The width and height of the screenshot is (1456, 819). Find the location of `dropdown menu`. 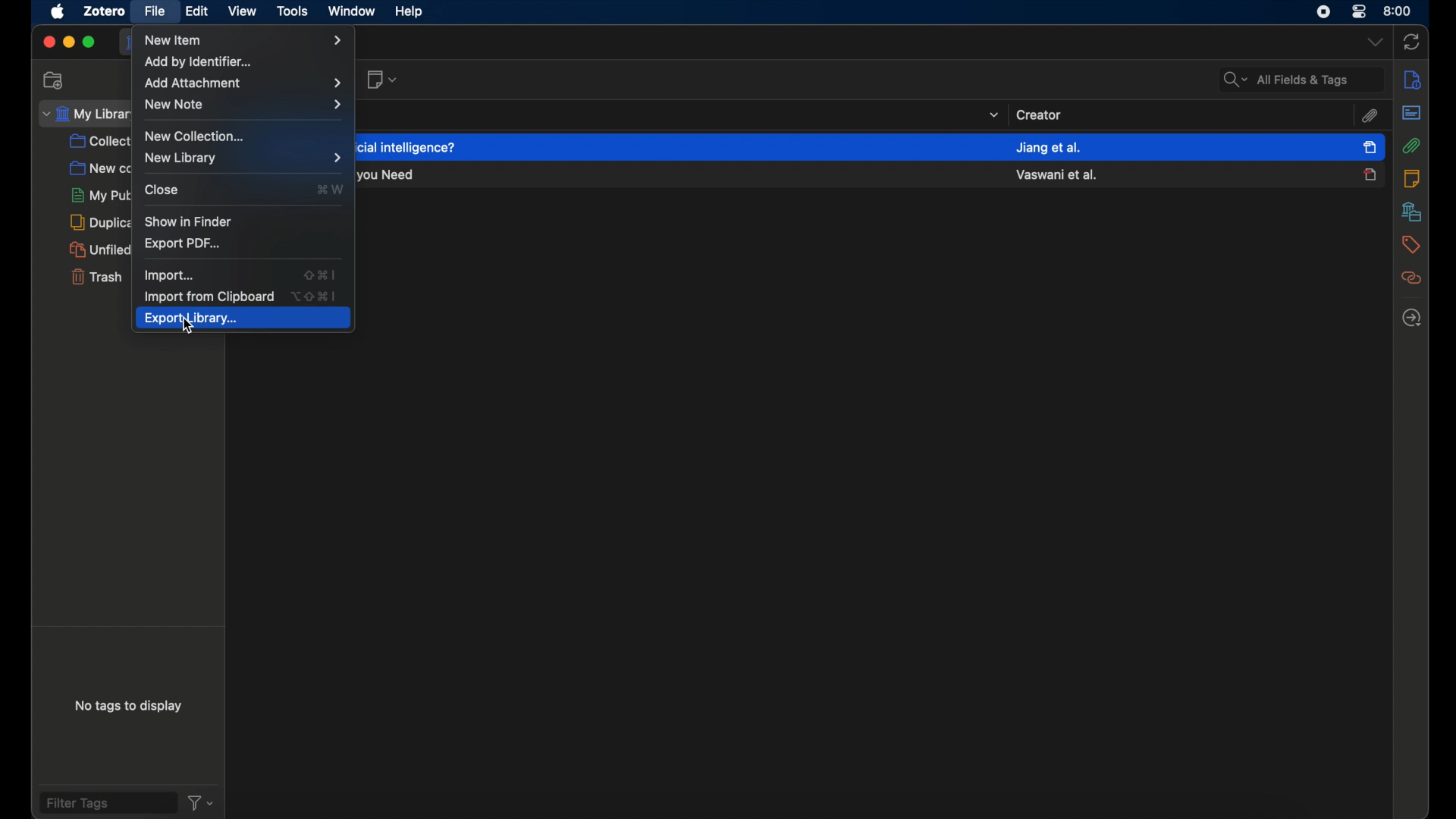

dropdown menu is located at coordinates (1373, 42).